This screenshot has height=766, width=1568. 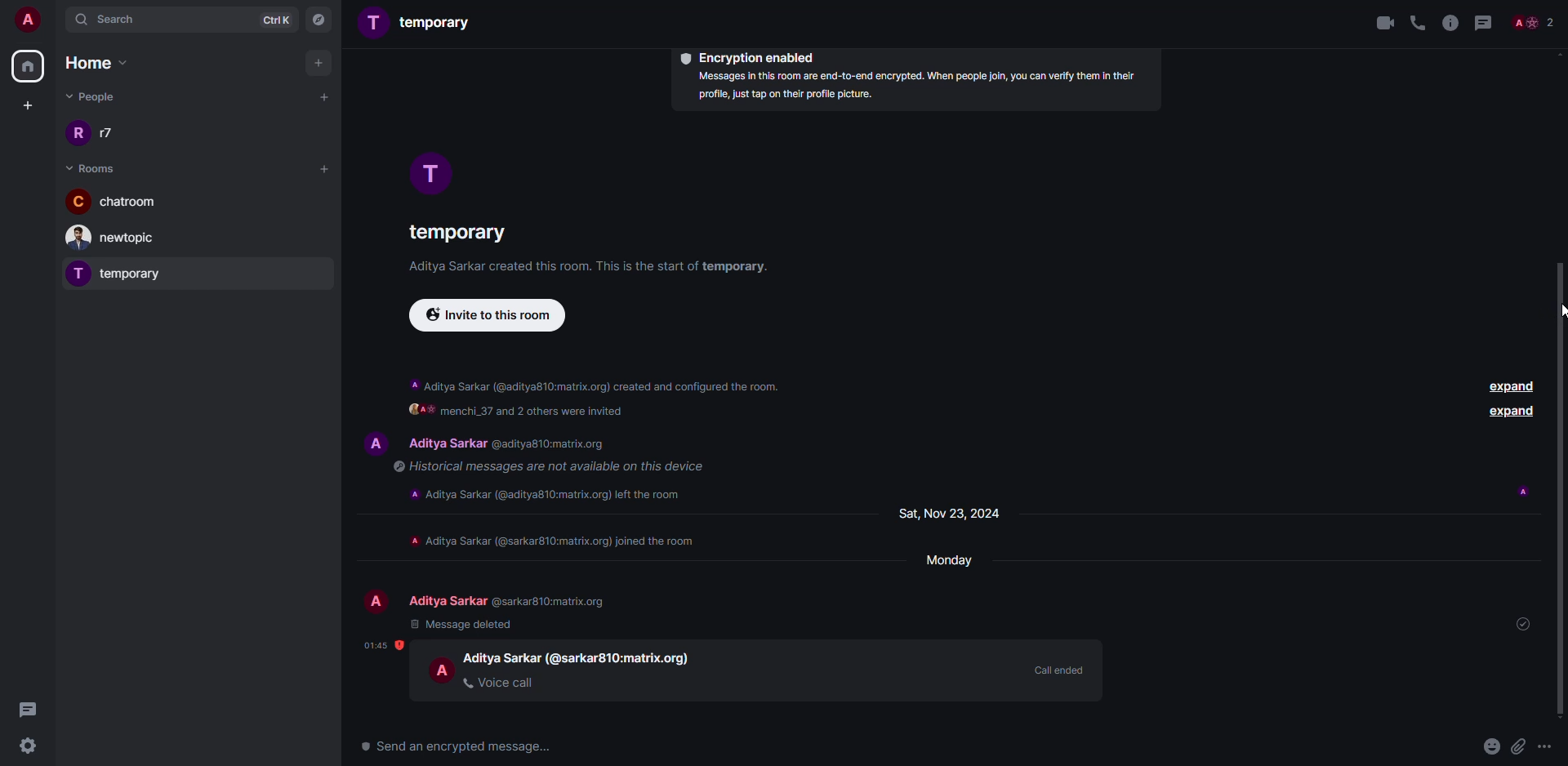 What do you see at coordinates (32, 747) in the screenshot?
I see `settings` at bounding box center [32, 747].